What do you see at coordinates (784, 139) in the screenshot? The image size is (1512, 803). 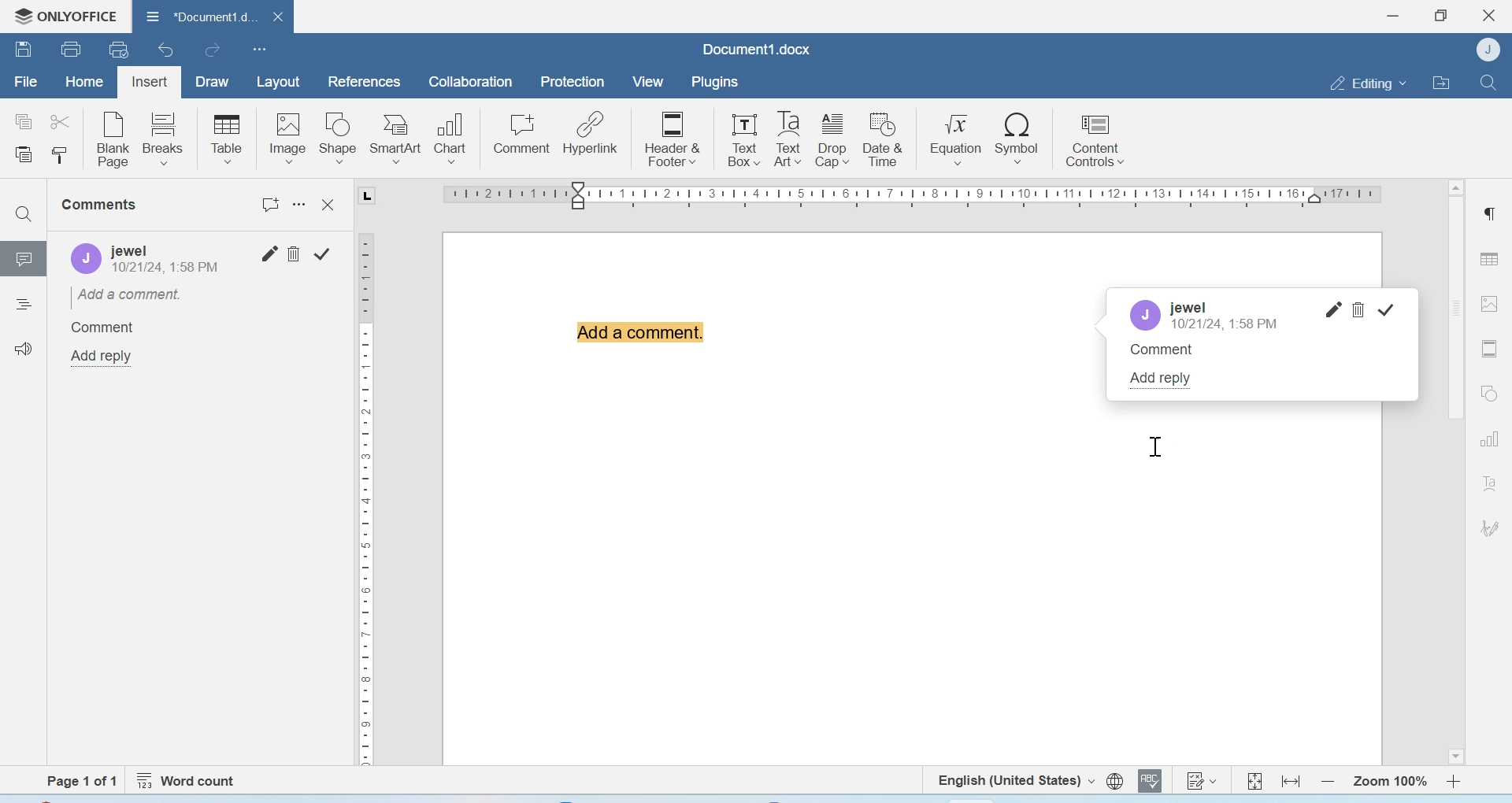 I see `Text Box` at bounding box center [784, 139].